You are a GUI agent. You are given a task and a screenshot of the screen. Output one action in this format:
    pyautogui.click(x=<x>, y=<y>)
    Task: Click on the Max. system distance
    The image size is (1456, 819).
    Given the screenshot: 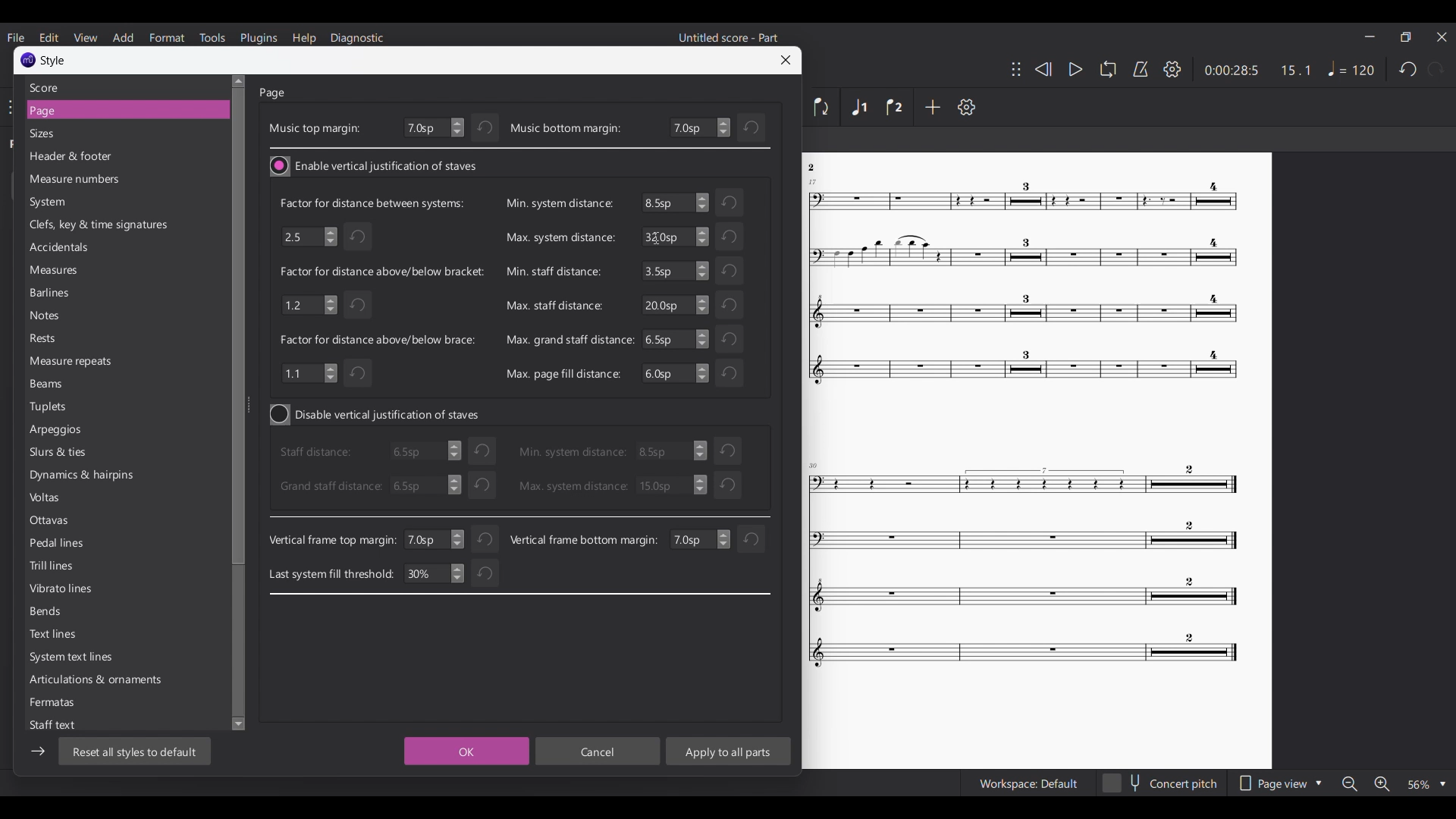 What is the action you would take?
    pyautogui.click(x=560, y=237)
    